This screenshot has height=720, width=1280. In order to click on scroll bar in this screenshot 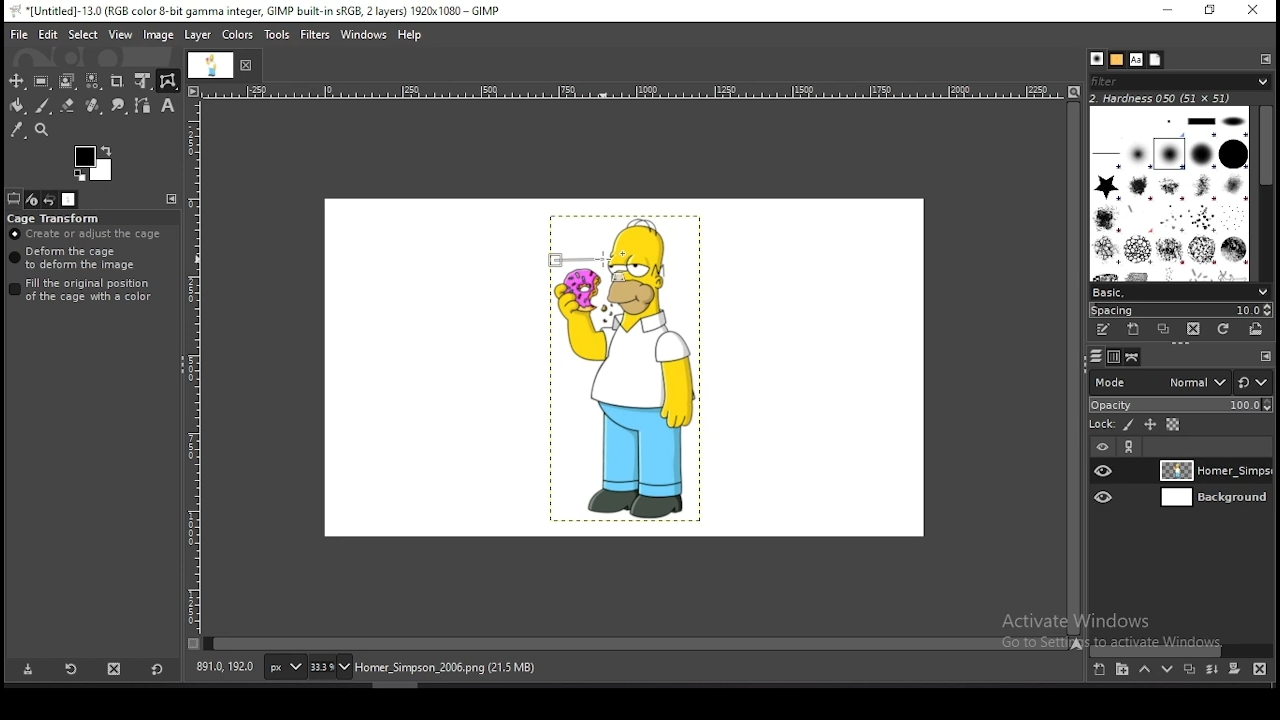, I will do `click(1182, 649)`.